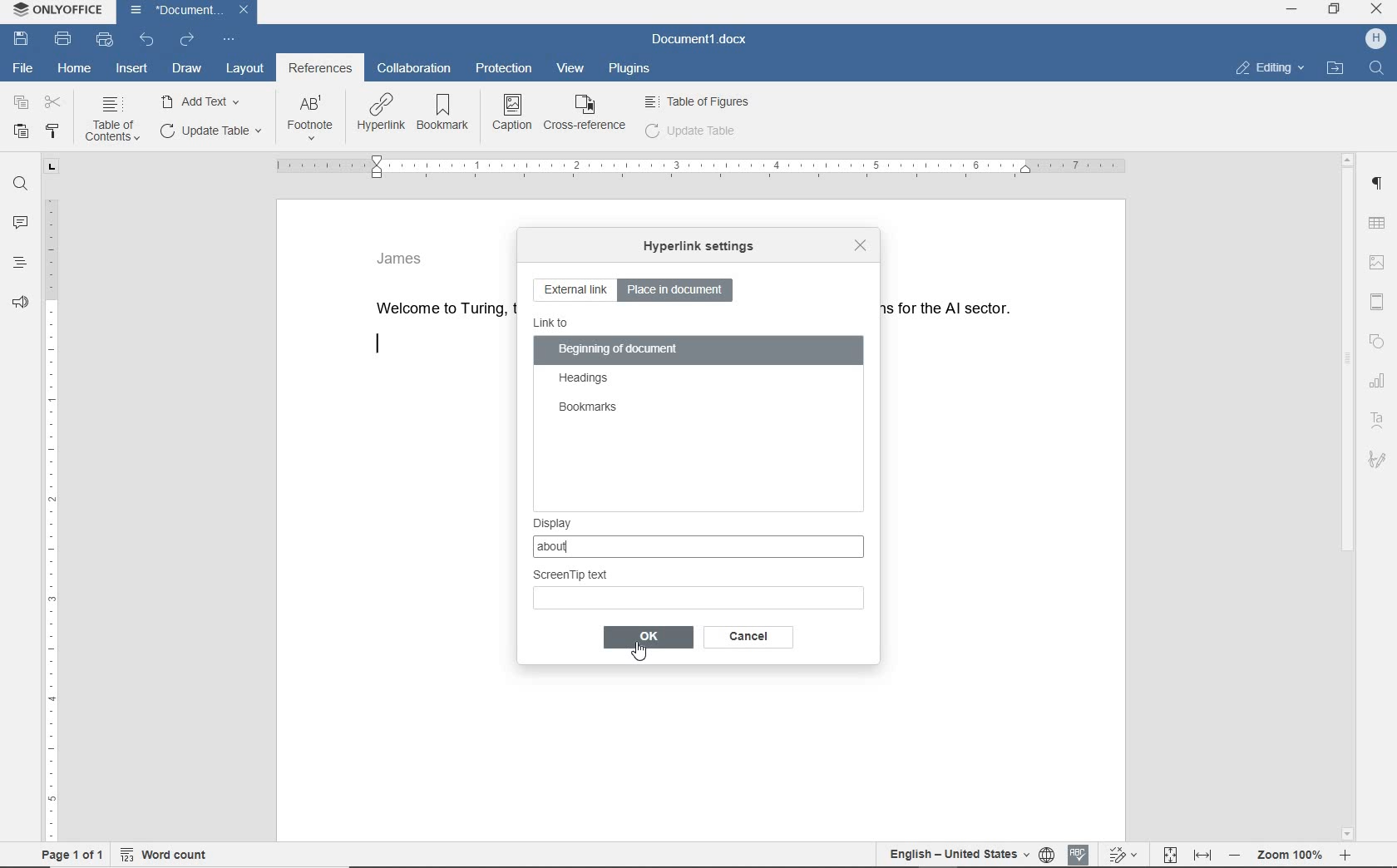 The width and height of the screenshot is (1397, 868). I want to click on table, so click(1380, 222).